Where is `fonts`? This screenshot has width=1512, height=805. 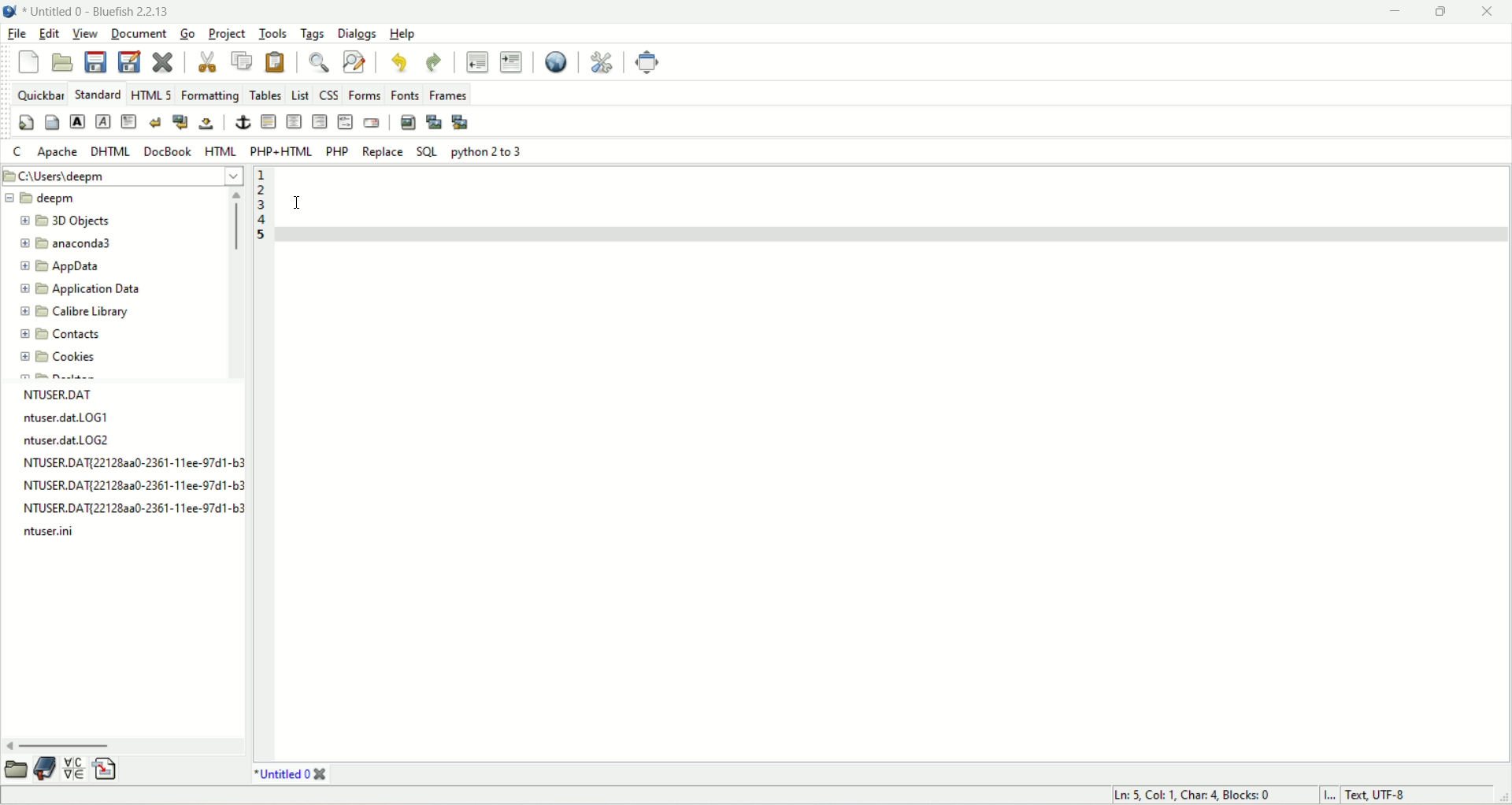 fonts is located at coordinates (404, 95).